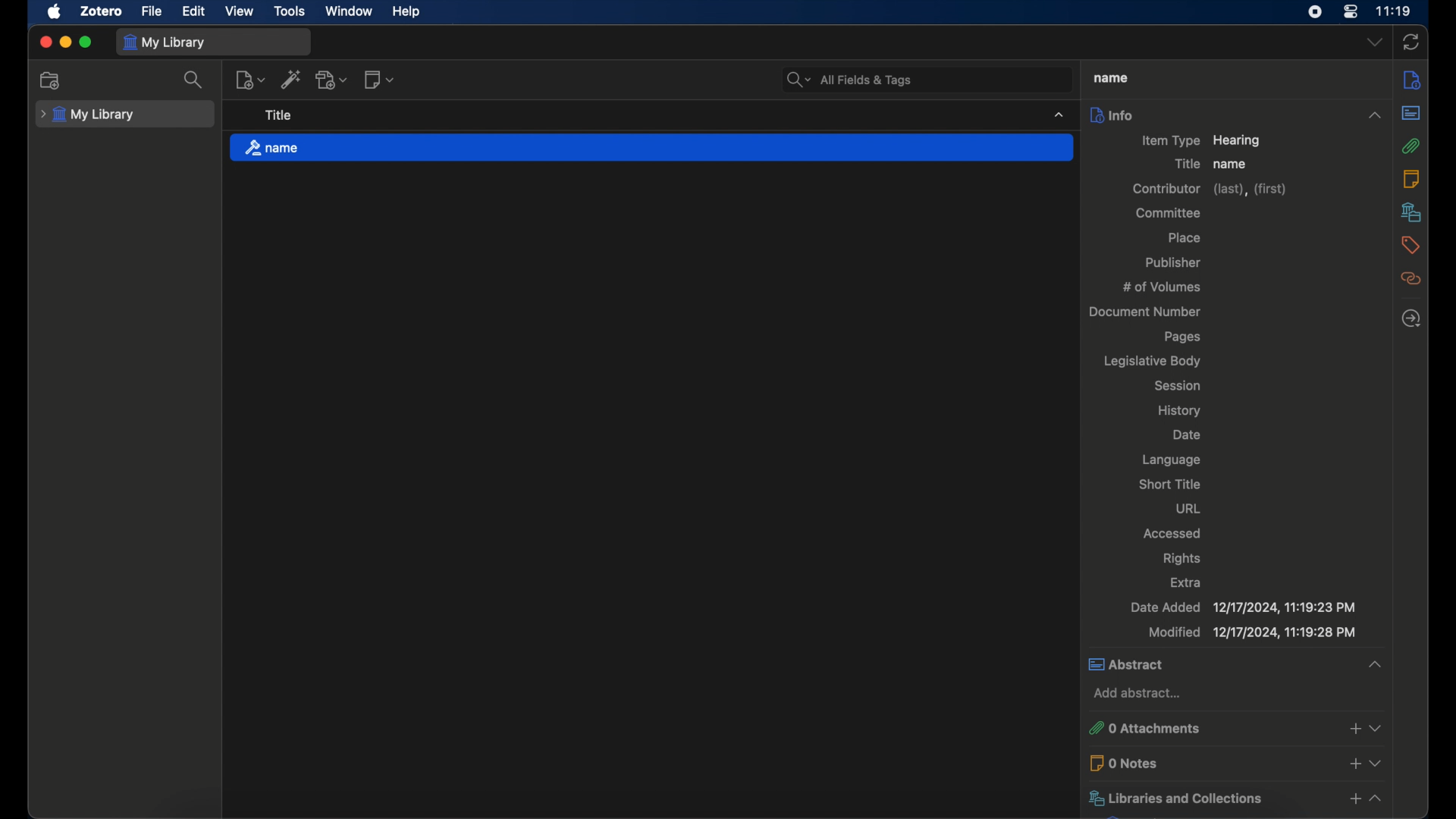 This screenshot has height=819, width=1456. I want to click on extra, so click(1187, 583).